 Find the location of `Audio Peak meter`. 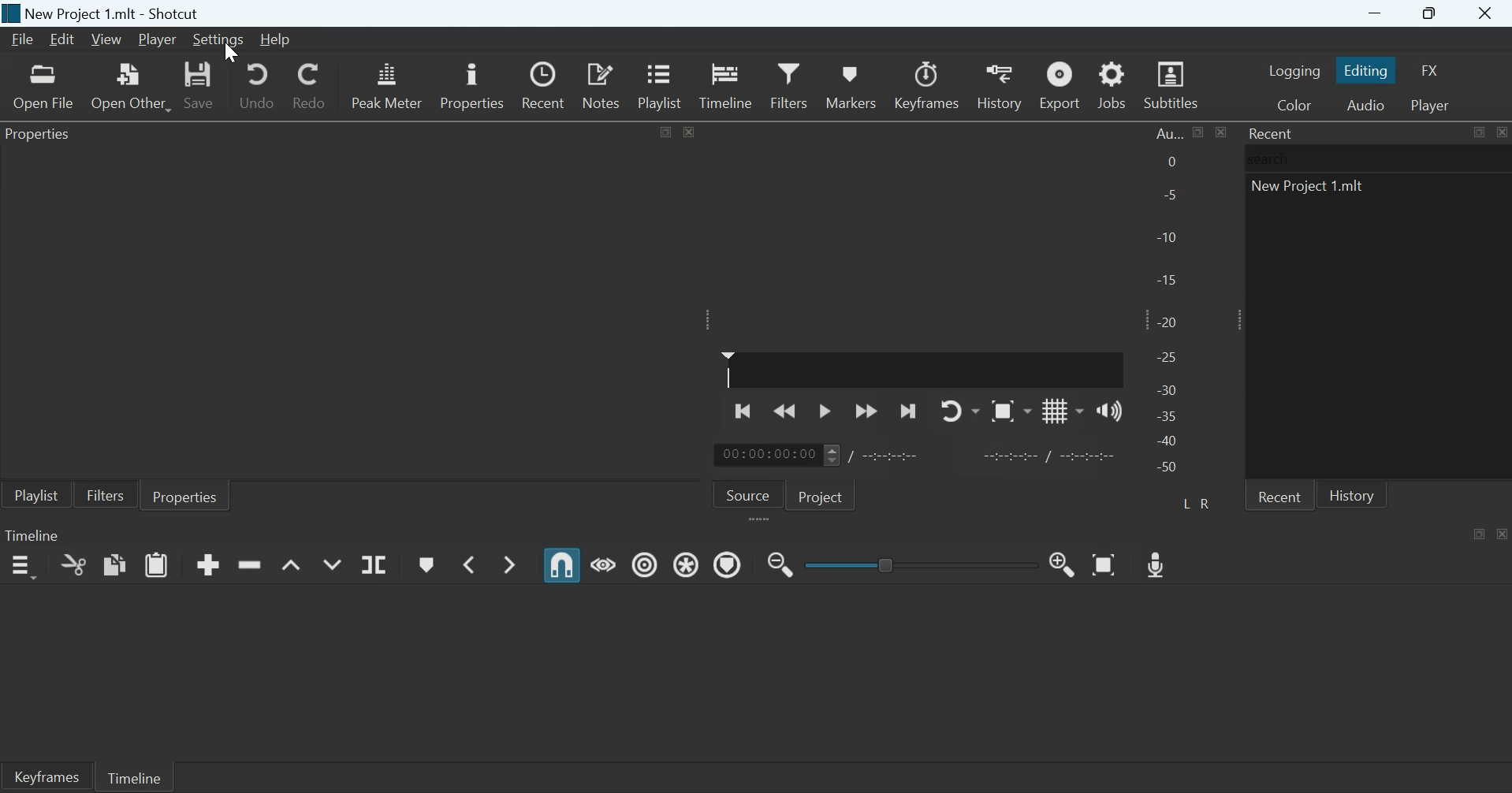

Audio Peak meter is located at coordinates (1169, 303).